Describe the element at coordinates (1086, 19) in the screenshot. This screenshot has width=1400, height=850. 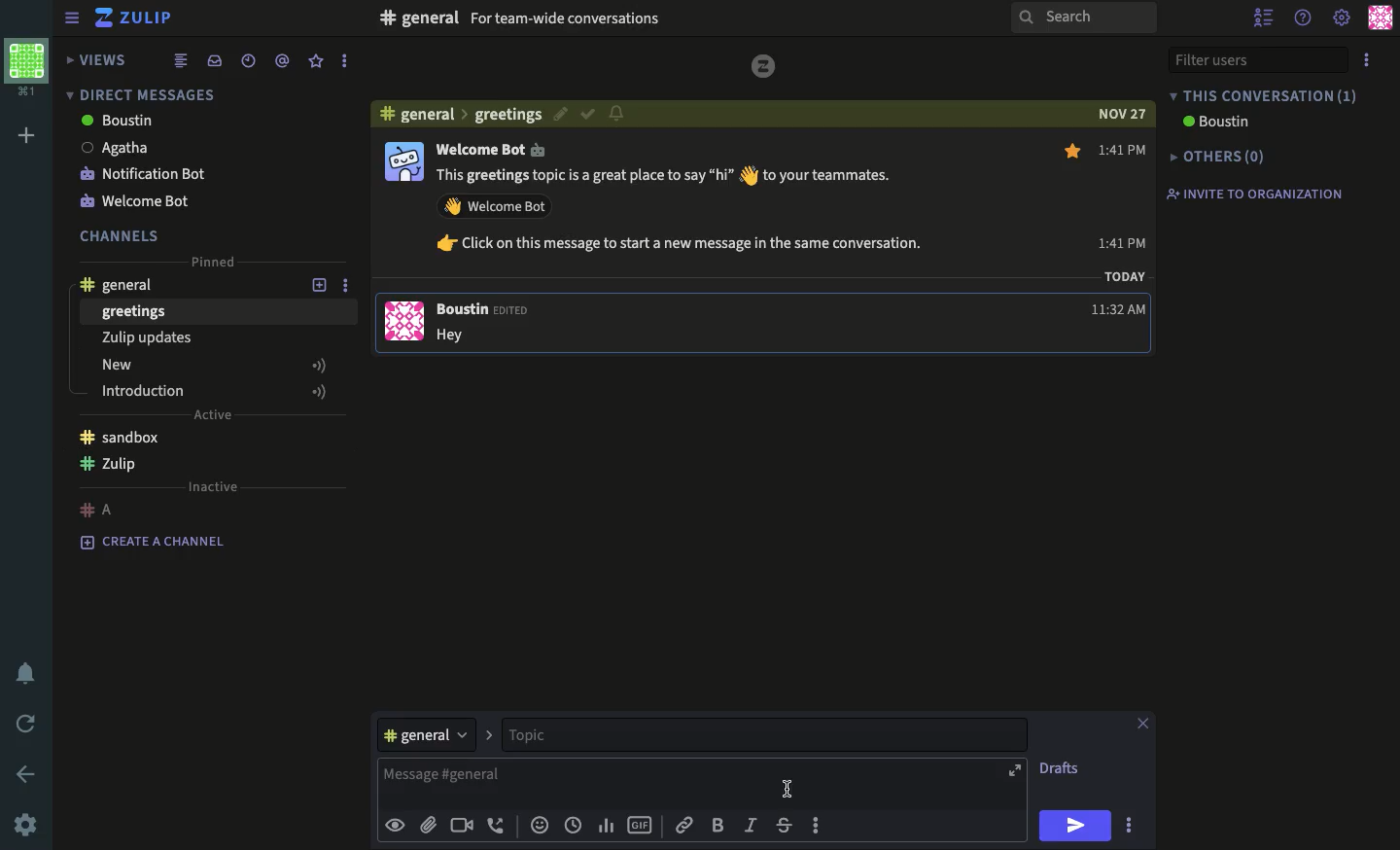
I see `search` at that location.